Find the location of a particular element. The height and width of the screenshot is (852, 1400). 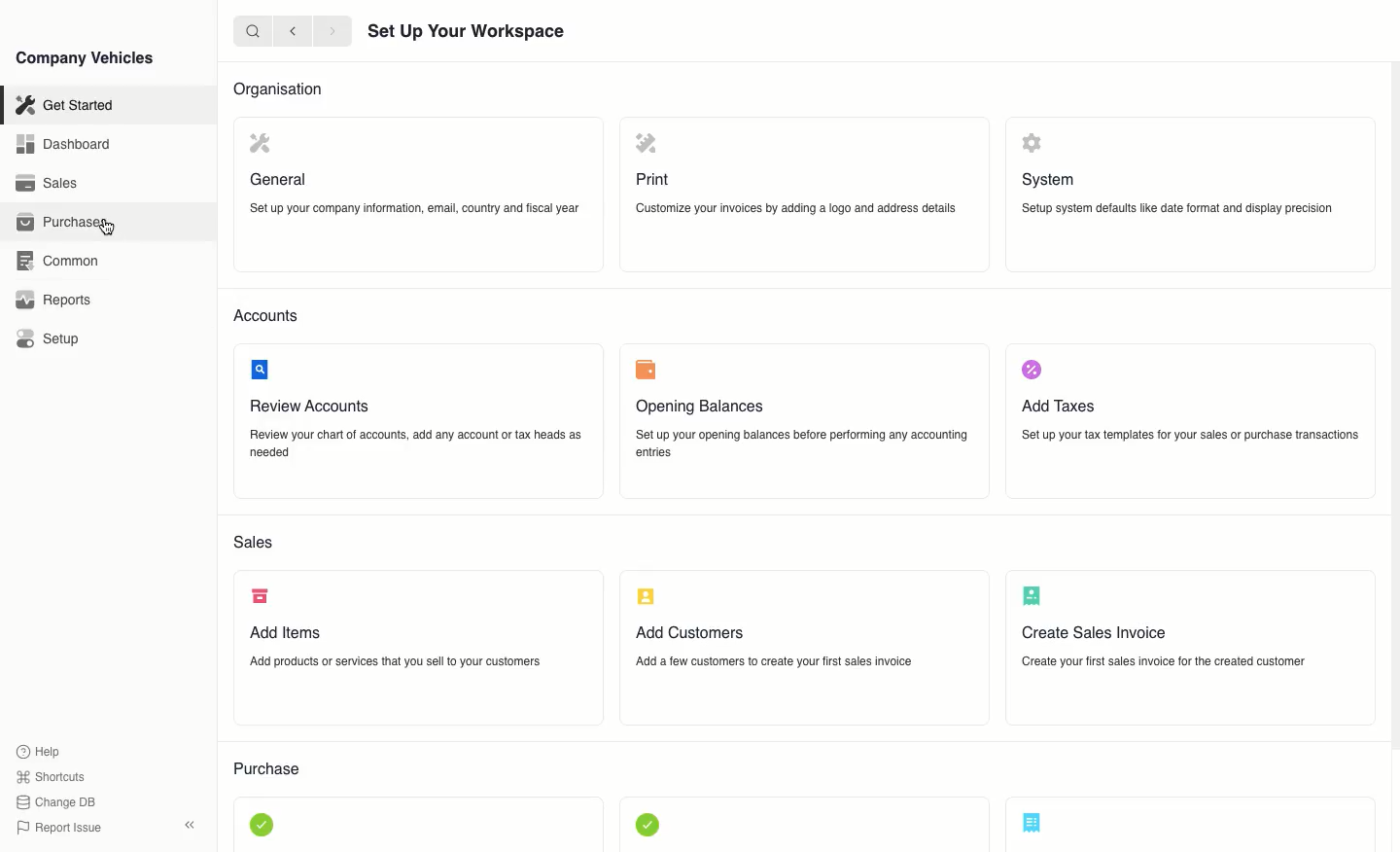

‘Add products or services that you sell to your customers is located at coordinates (395, 661).